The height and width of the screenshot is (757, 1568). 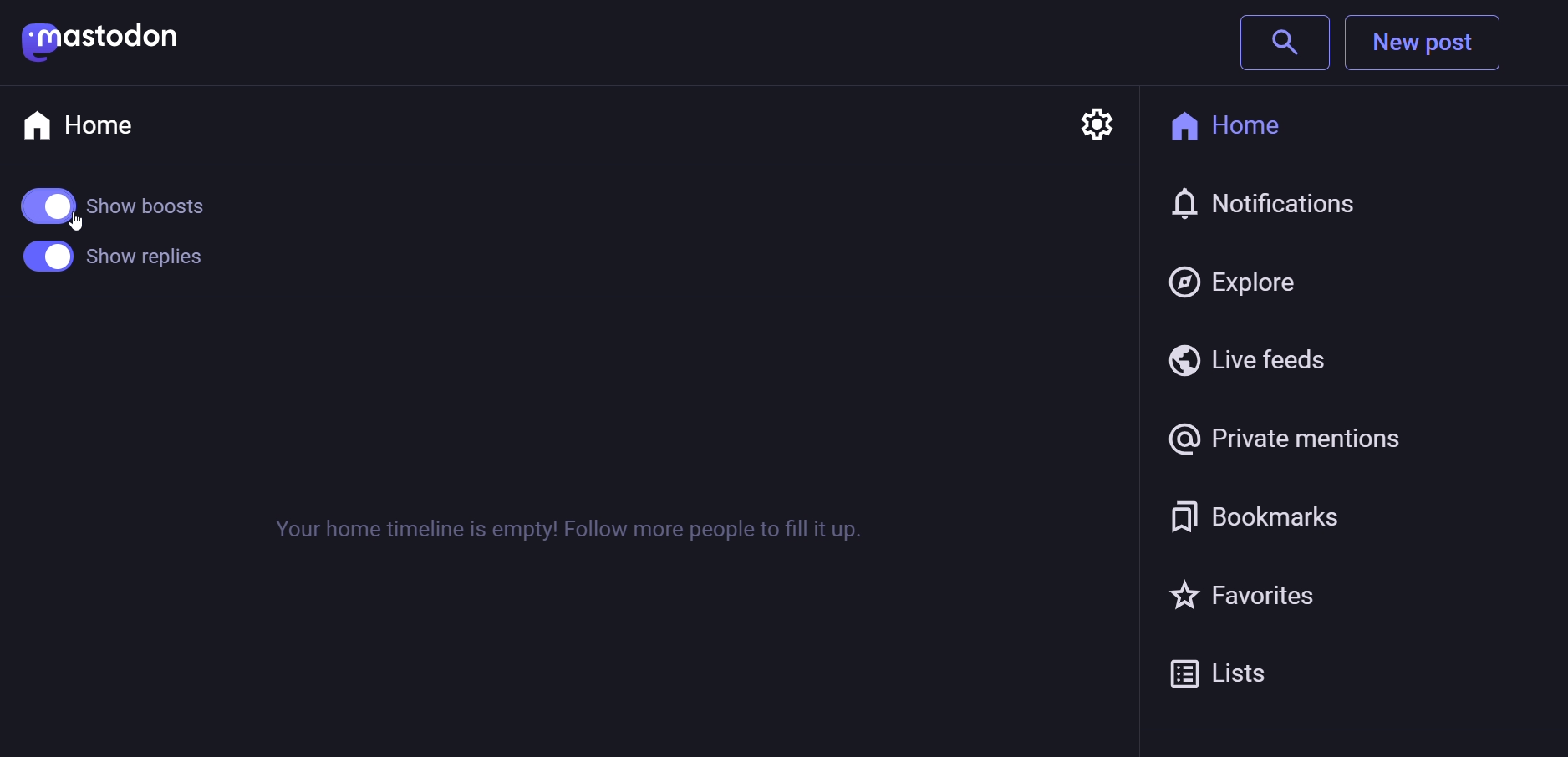 What do you see at coordinates (1097, 117) in the screenshot?
I see `settings` at bounding box center [1097, 117].